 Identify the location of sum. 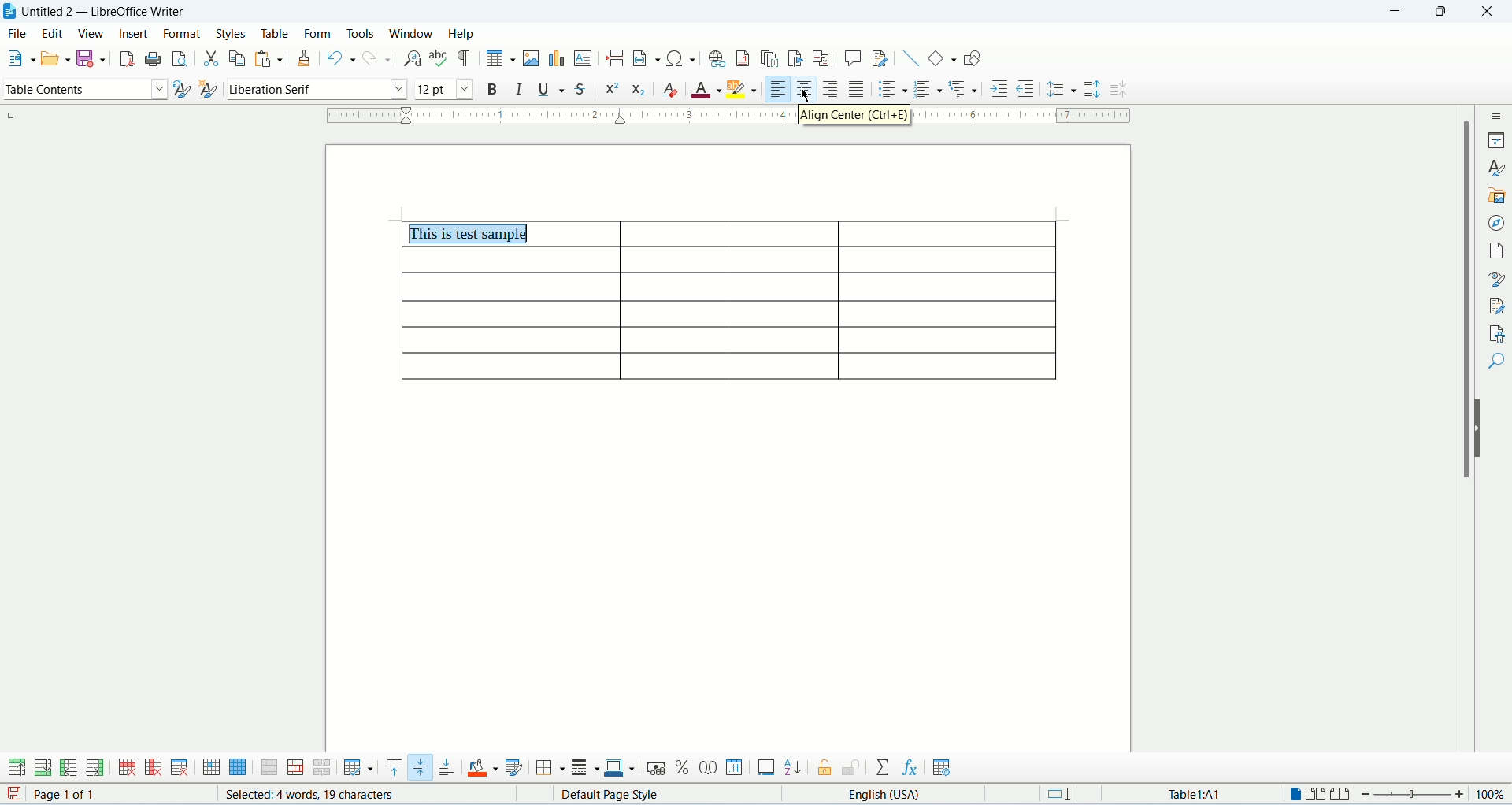
(884, 767).